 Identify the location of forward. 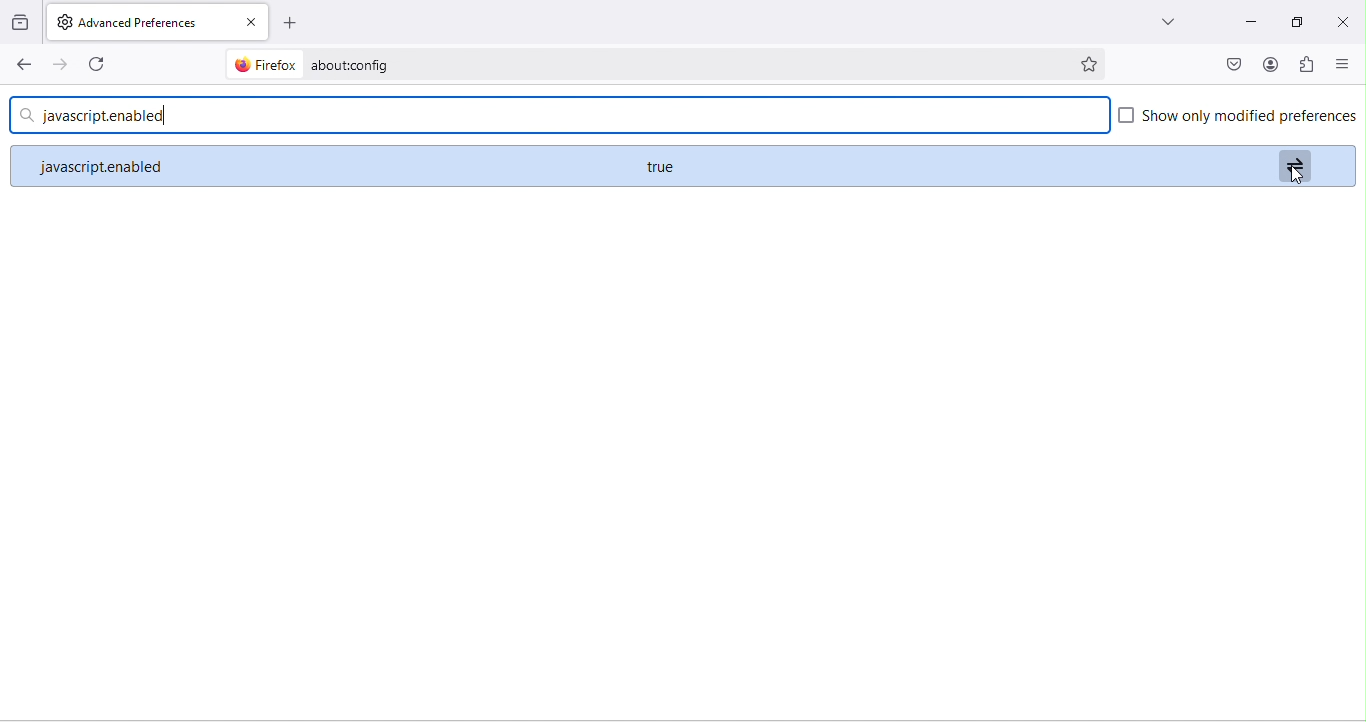
(58, 63).